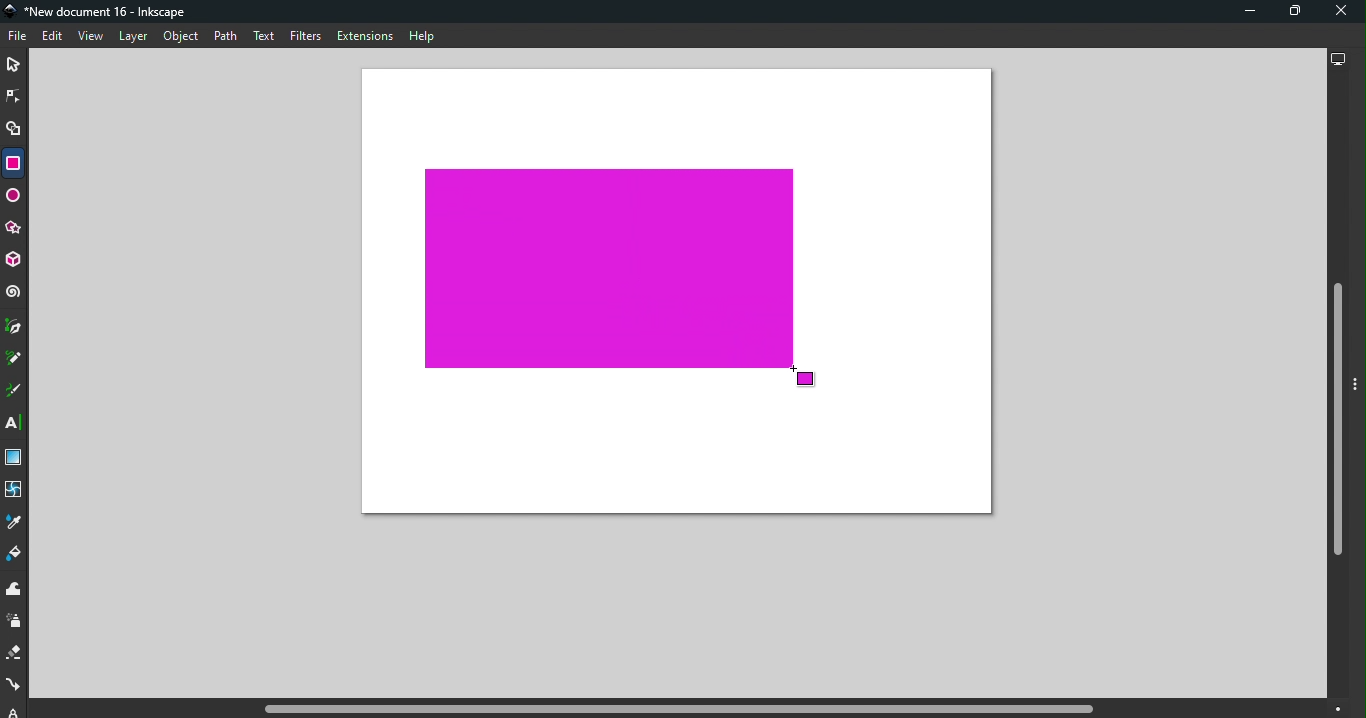 The height and width of the screenshot is (718, 1366). I want to click on Object, so click(181, 37).